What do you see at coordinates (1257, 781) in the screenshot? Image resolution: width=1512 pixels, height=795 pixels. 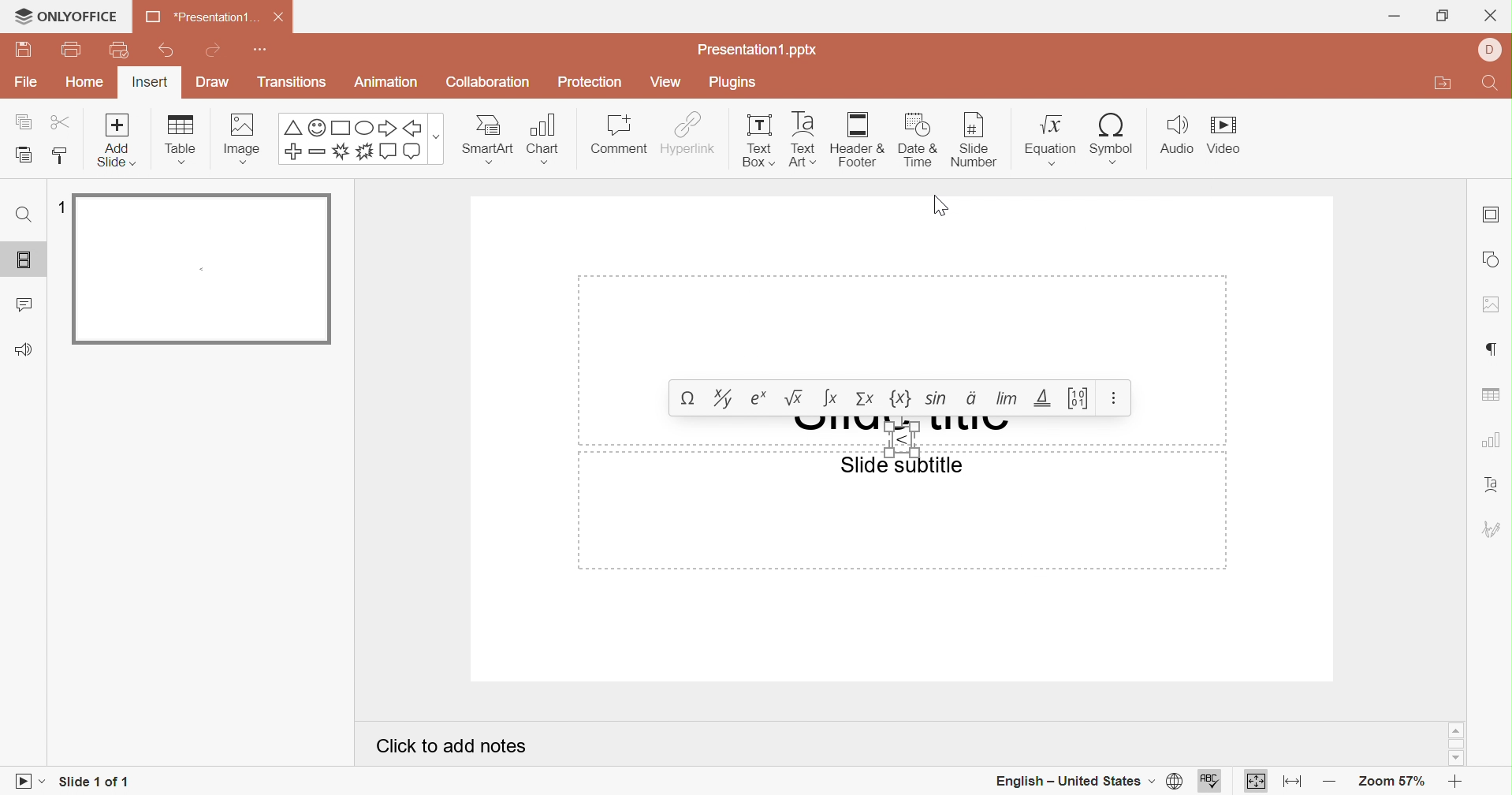 I see `Fit to slide` at bounding box center [1257, 781].